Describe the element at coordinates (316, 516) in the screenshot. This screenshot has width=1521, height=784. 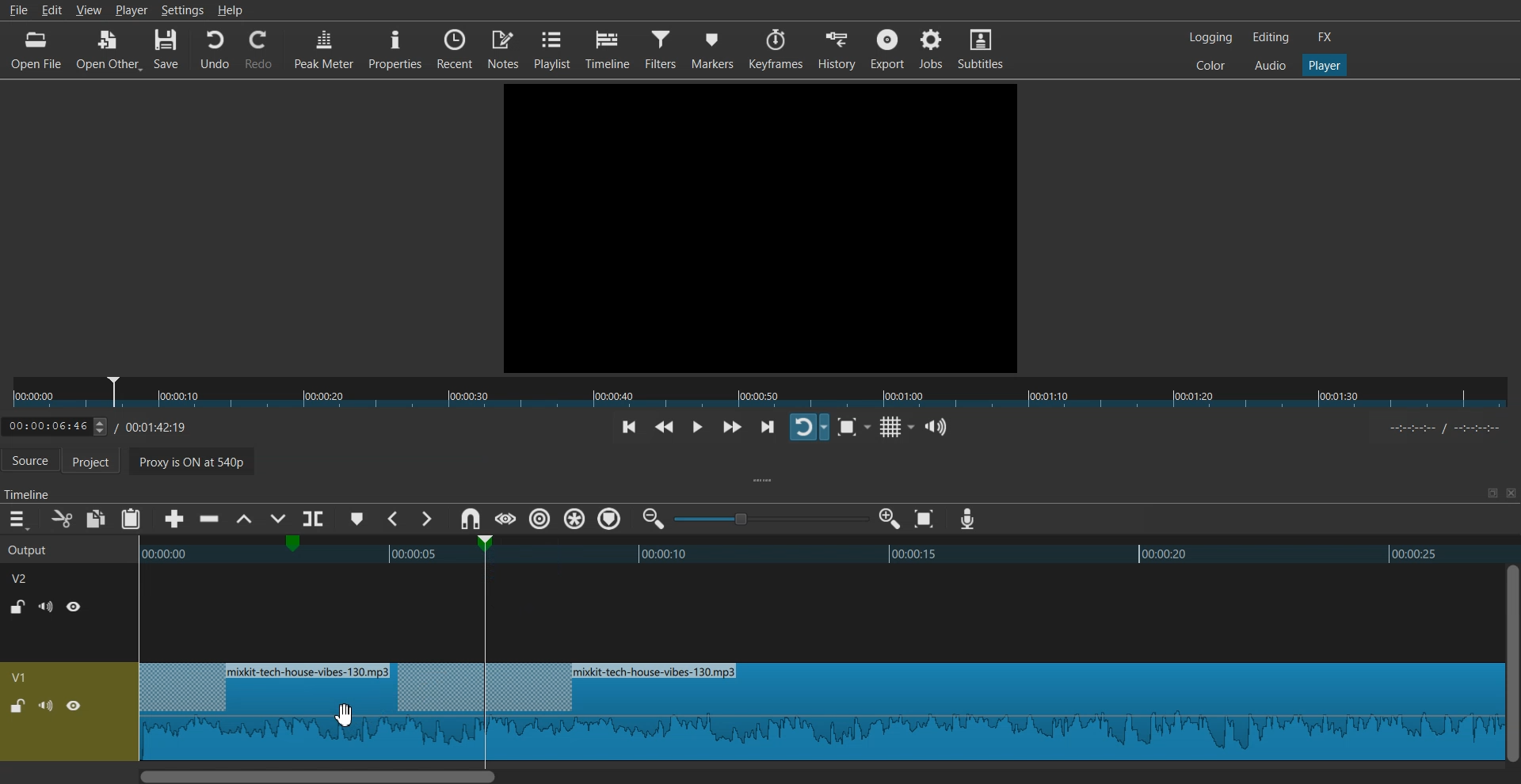
I see `Split at playhead` at that location.